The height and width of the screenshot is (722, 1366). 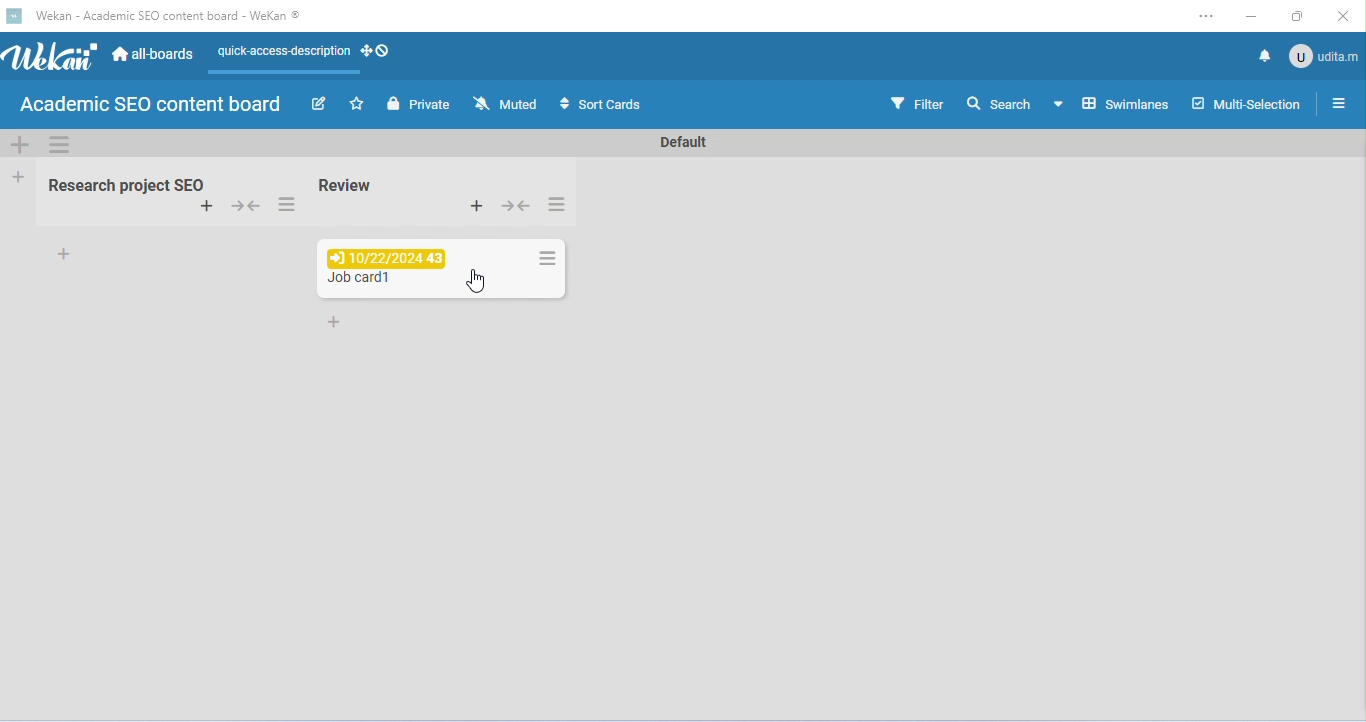 I want to click on add swimelane, so click(x=20, y=144).